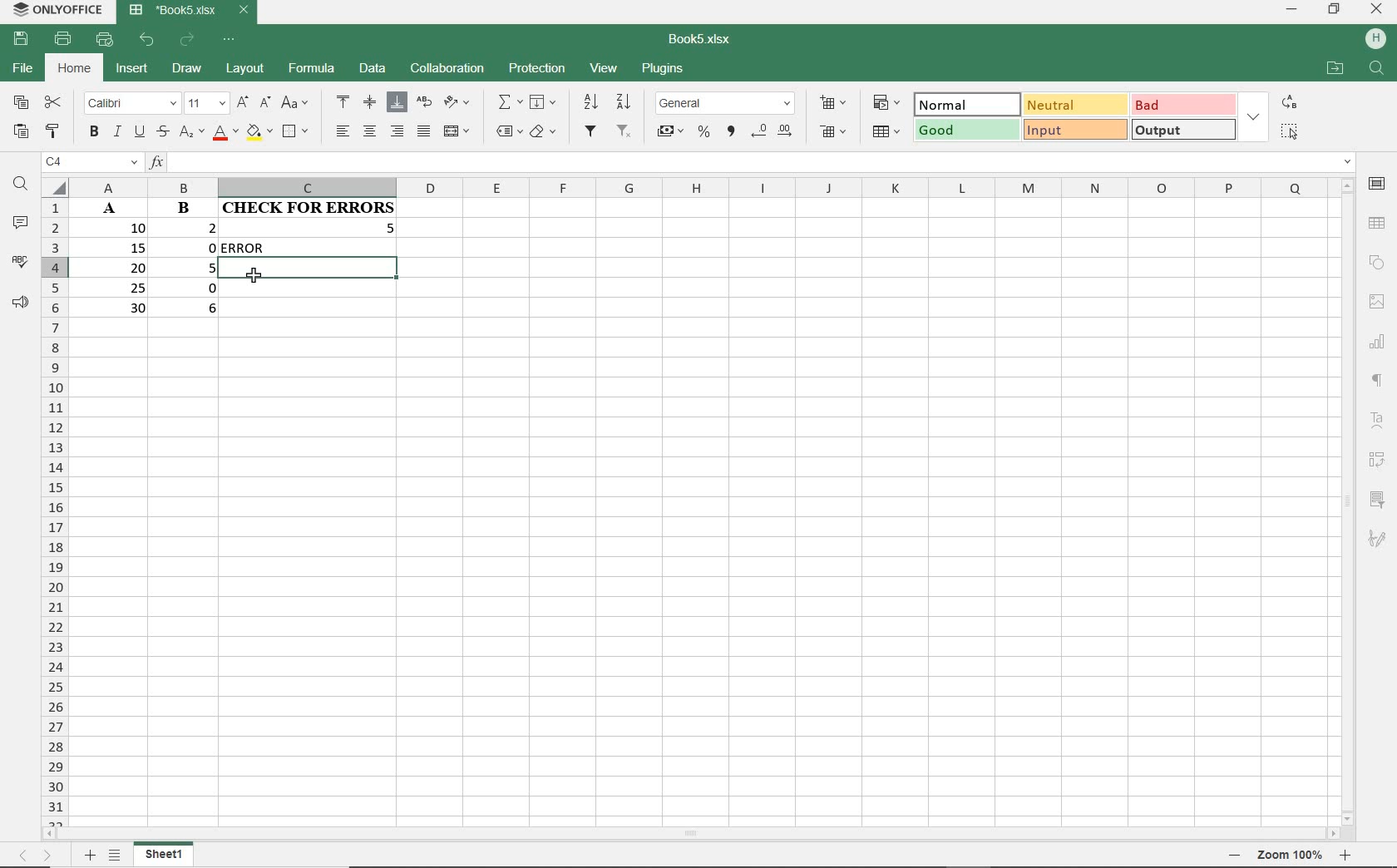 This screenshot has width=1397, height=868. What do you see at coordinates (1183, 104) in the screenshot?
I see `BAD` at bounding box center [1183, 104].